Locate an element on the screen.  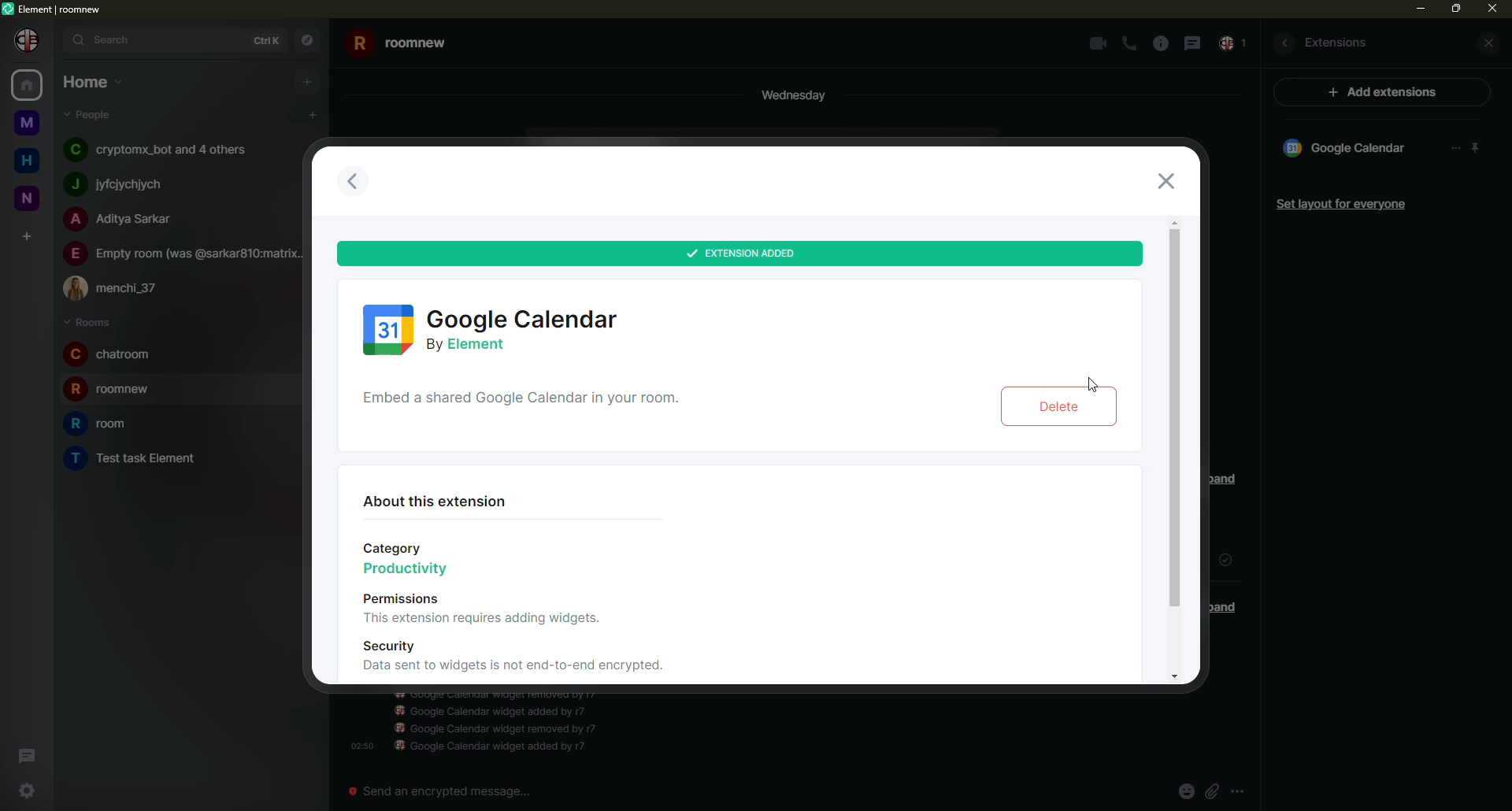
room is located at coordinates (113, 388).